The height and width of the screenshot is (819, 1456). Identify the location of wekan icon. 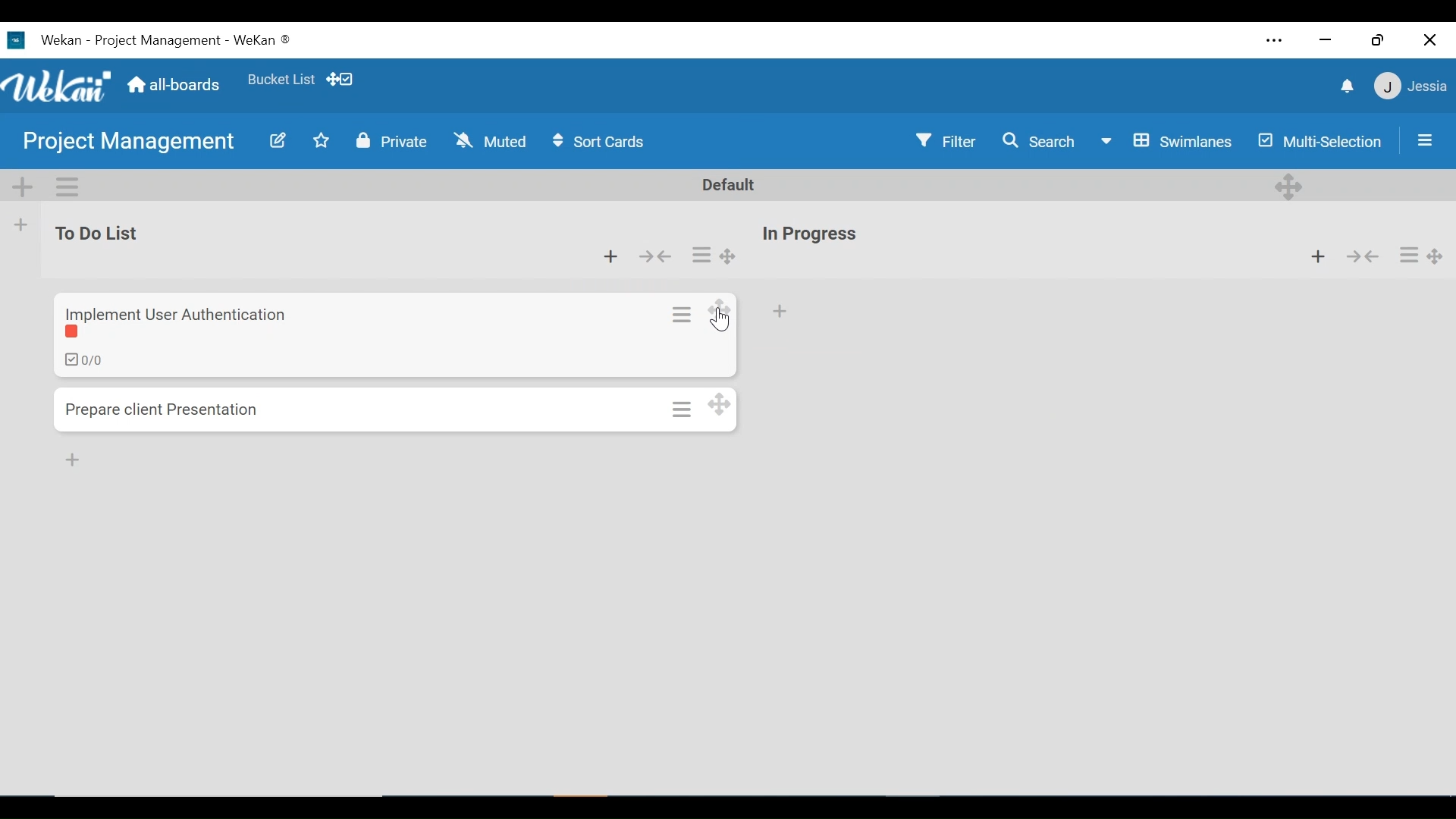
(20, 40).